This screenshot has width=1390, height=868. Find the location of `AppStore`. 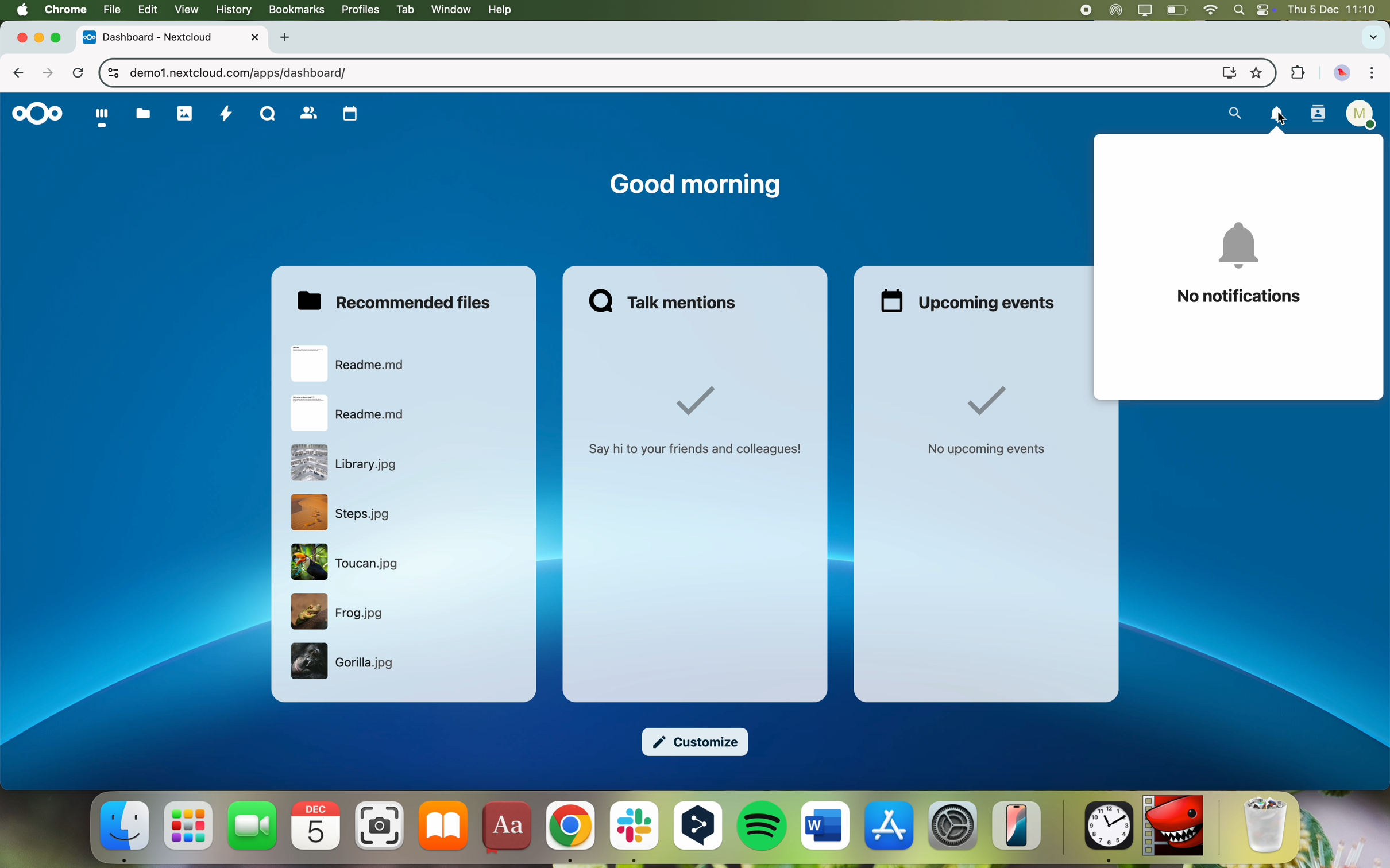

AppStore is located at coordinates (890, 828).